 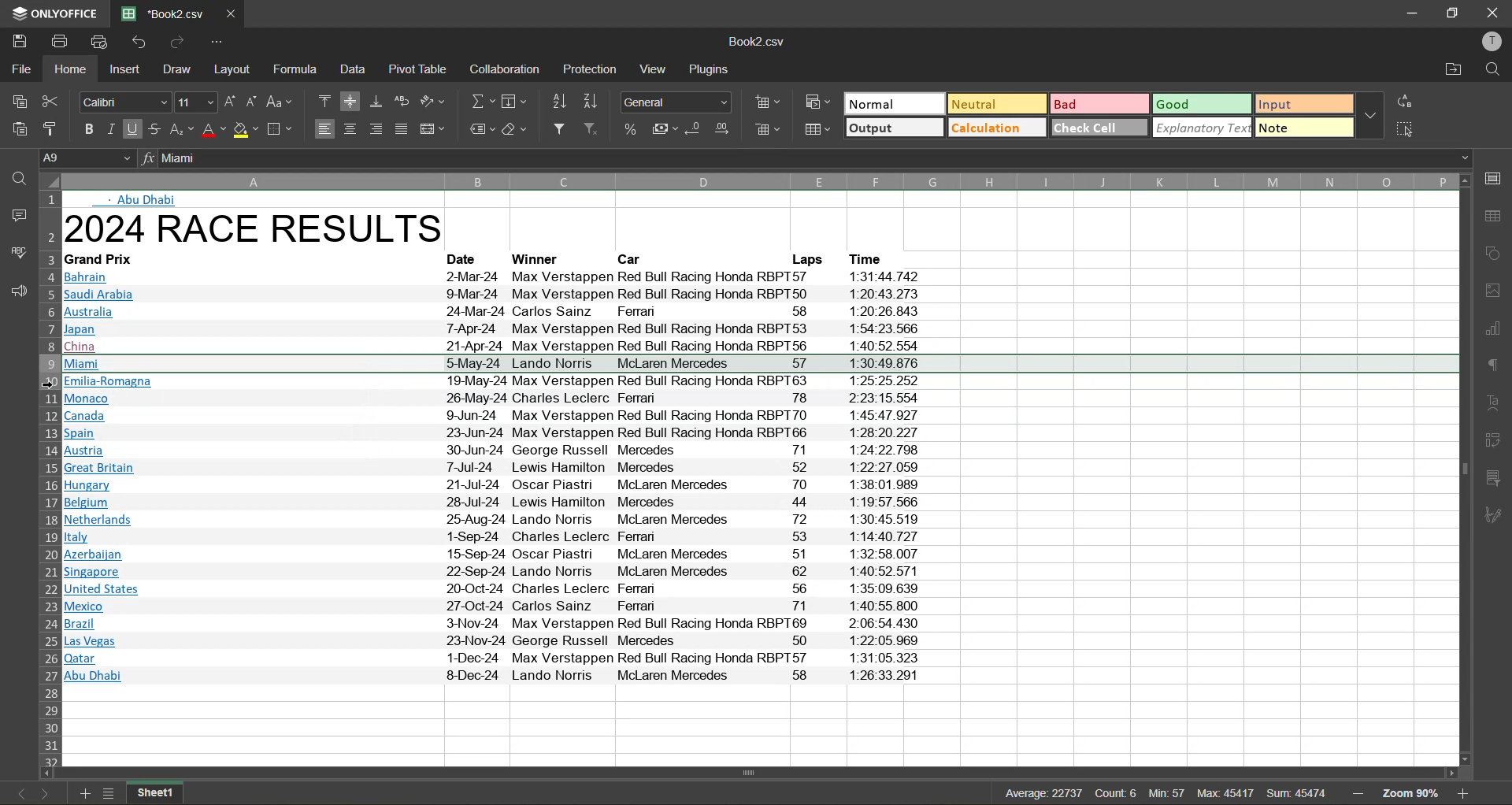 I want to click on ILas Vegas 23-Nov-24 George Russell Mercedes 50 1-22:05.969, so click(x=495, y=640).